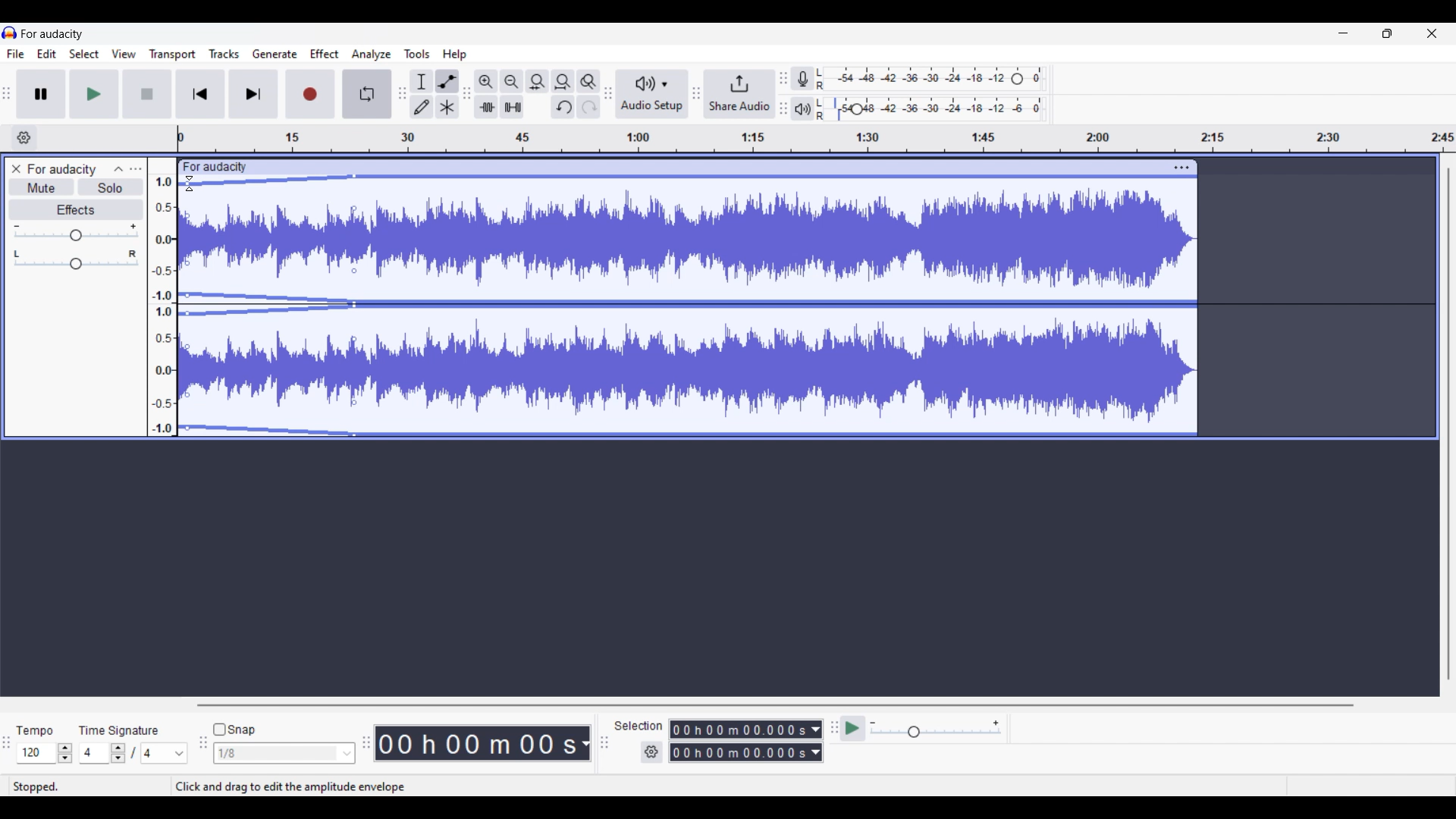  Describe the element at coordinates (686, 304) in the screenshot. I see `Track highlighted due to Envelop tool` at that location.